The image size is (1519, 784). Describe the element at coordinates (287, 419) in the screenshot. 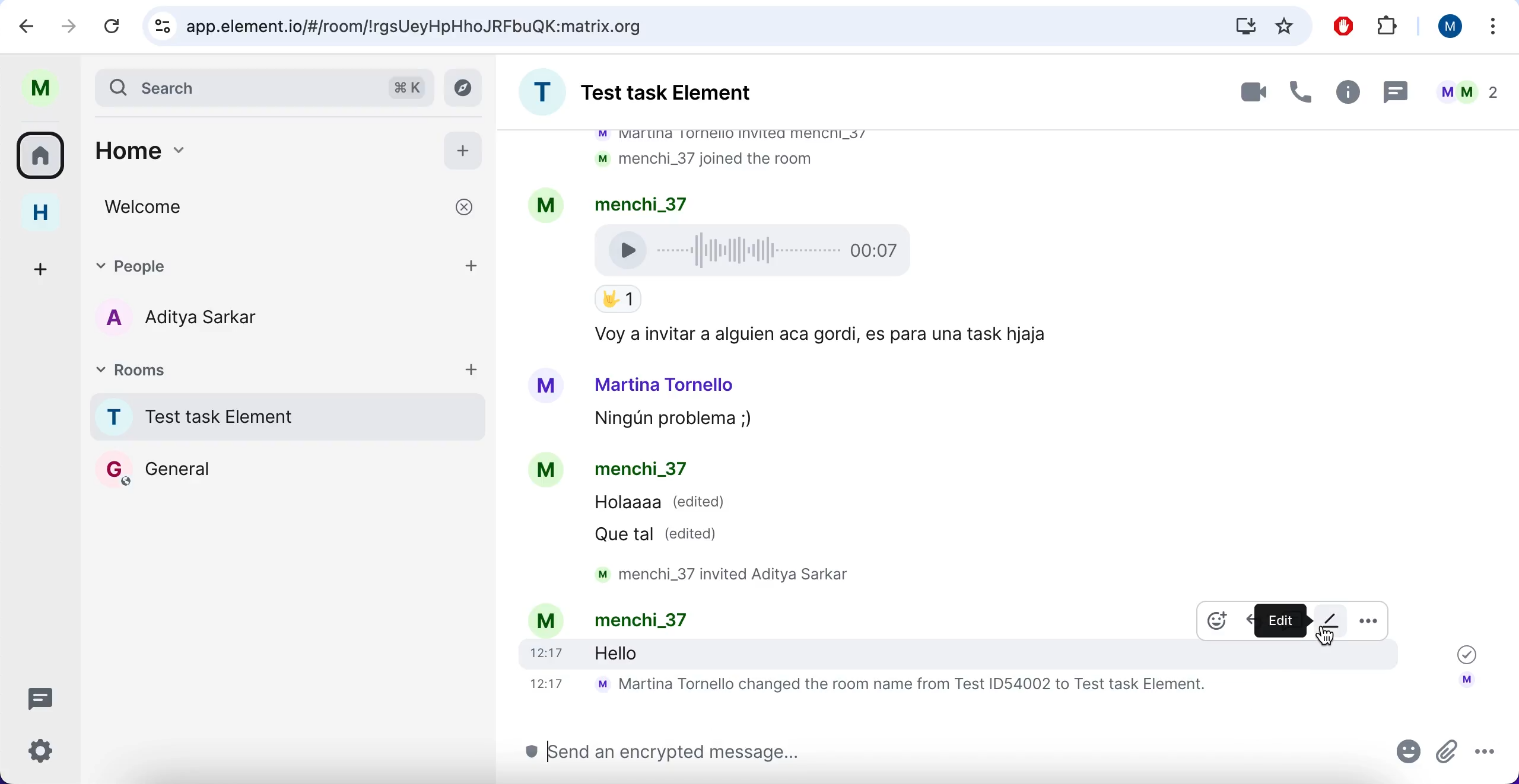

I see `chat room 1` at that location.